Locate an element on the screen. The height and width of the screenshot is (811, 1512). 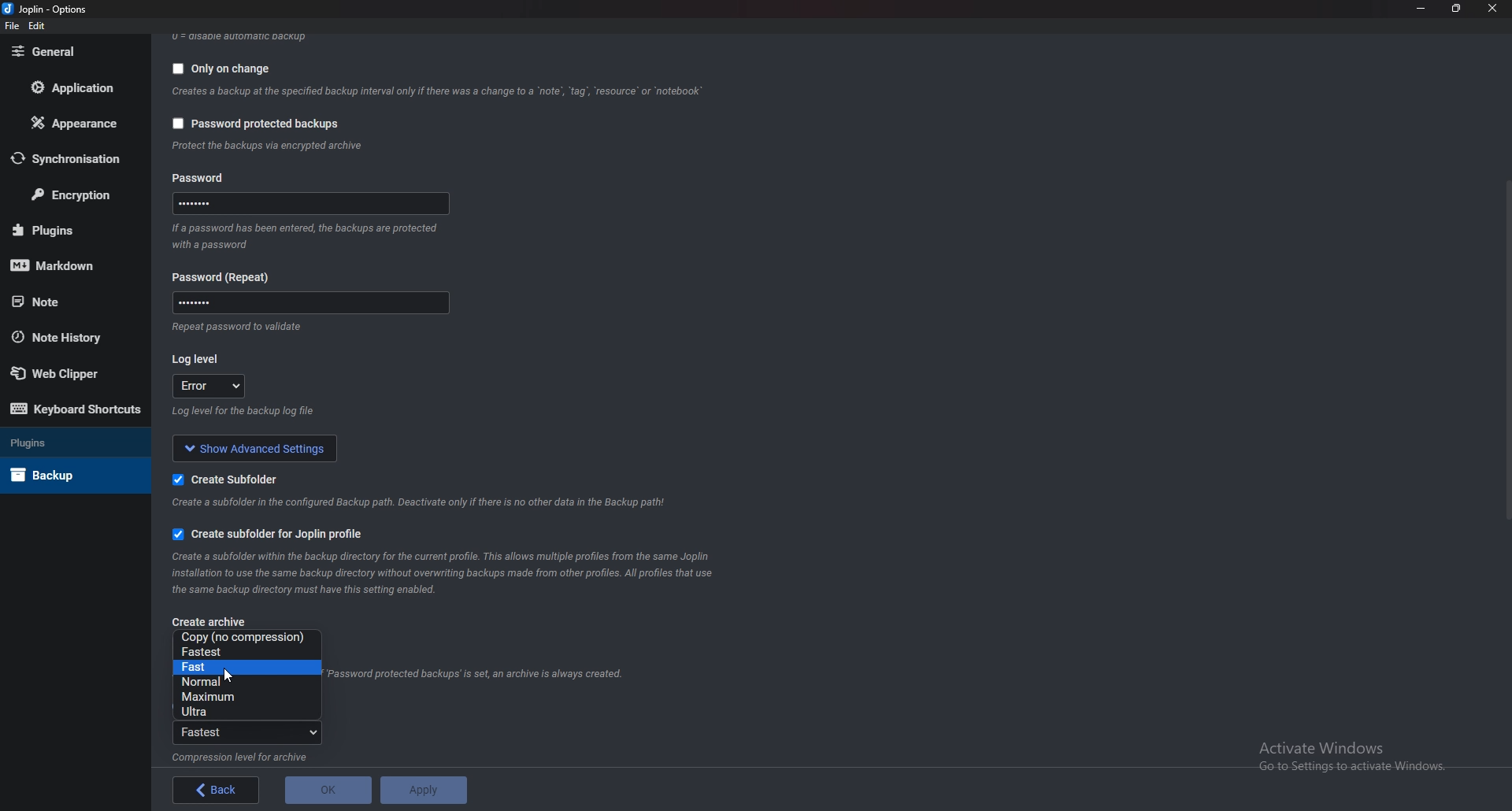
password is located at coordinates (202, 178).